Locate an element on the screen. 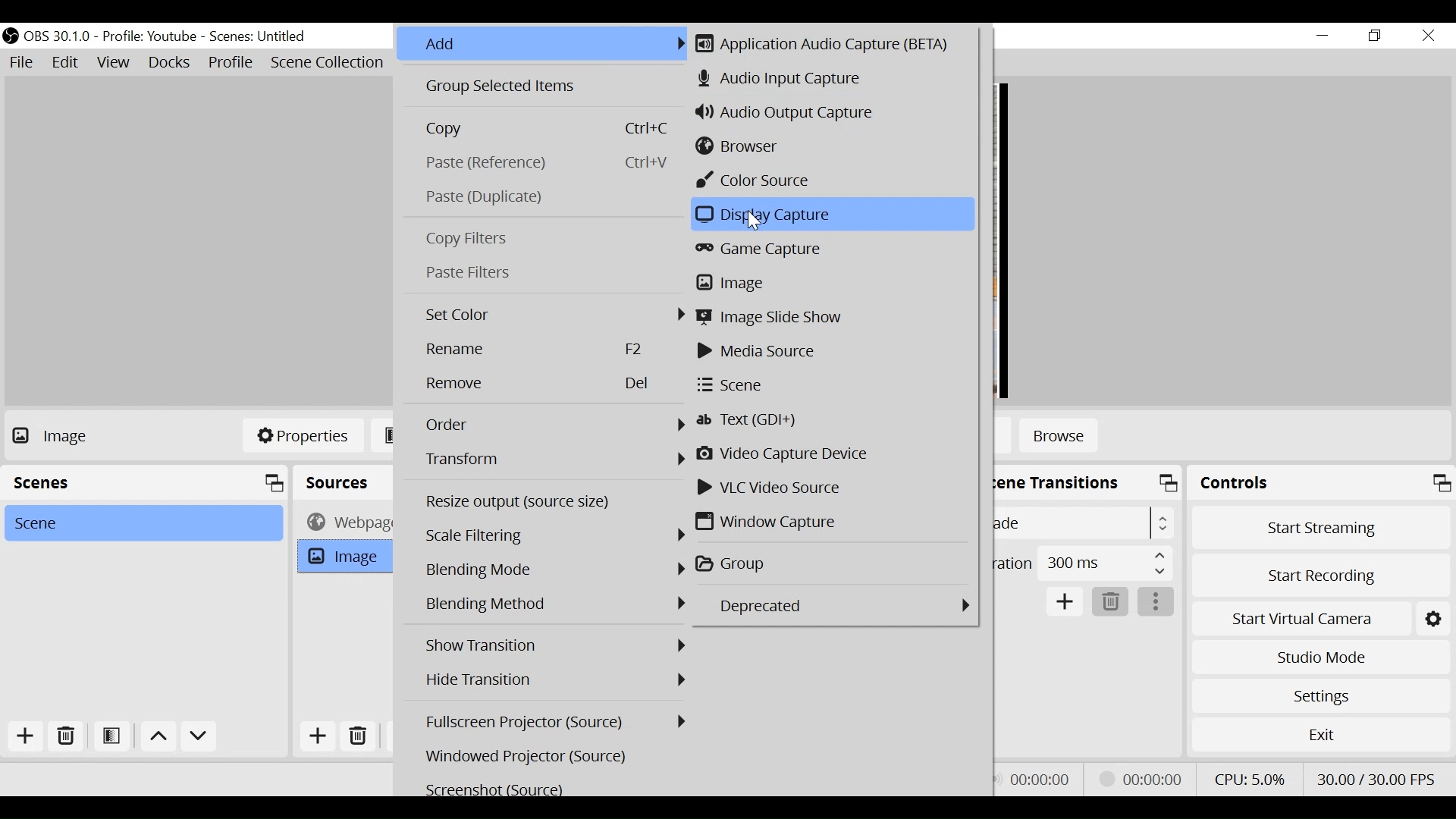  Add is located at coordinates (27, 738).